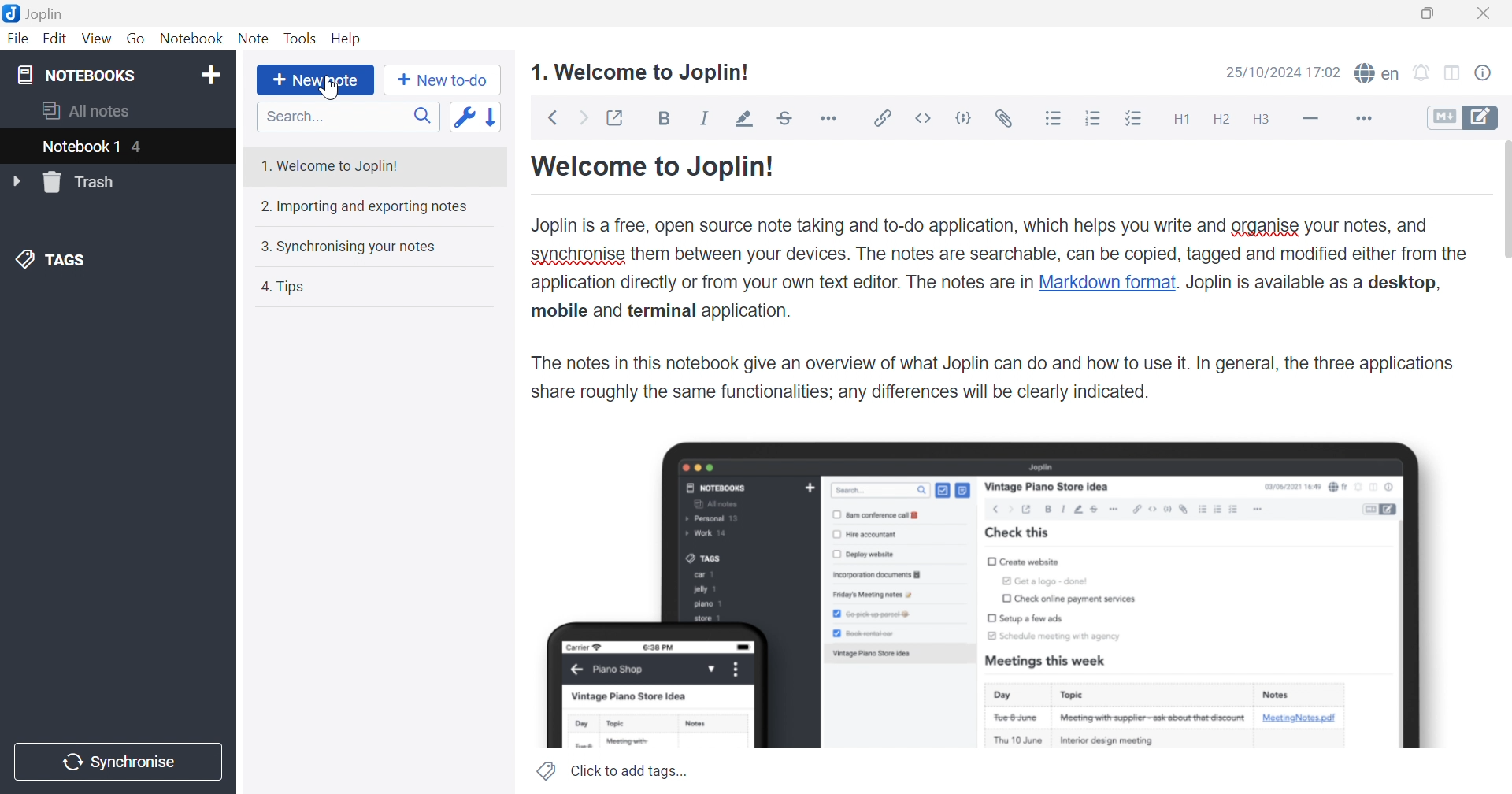 This screenshot has height=794, width=1512. I want to click on All notes, so click(91, 110).